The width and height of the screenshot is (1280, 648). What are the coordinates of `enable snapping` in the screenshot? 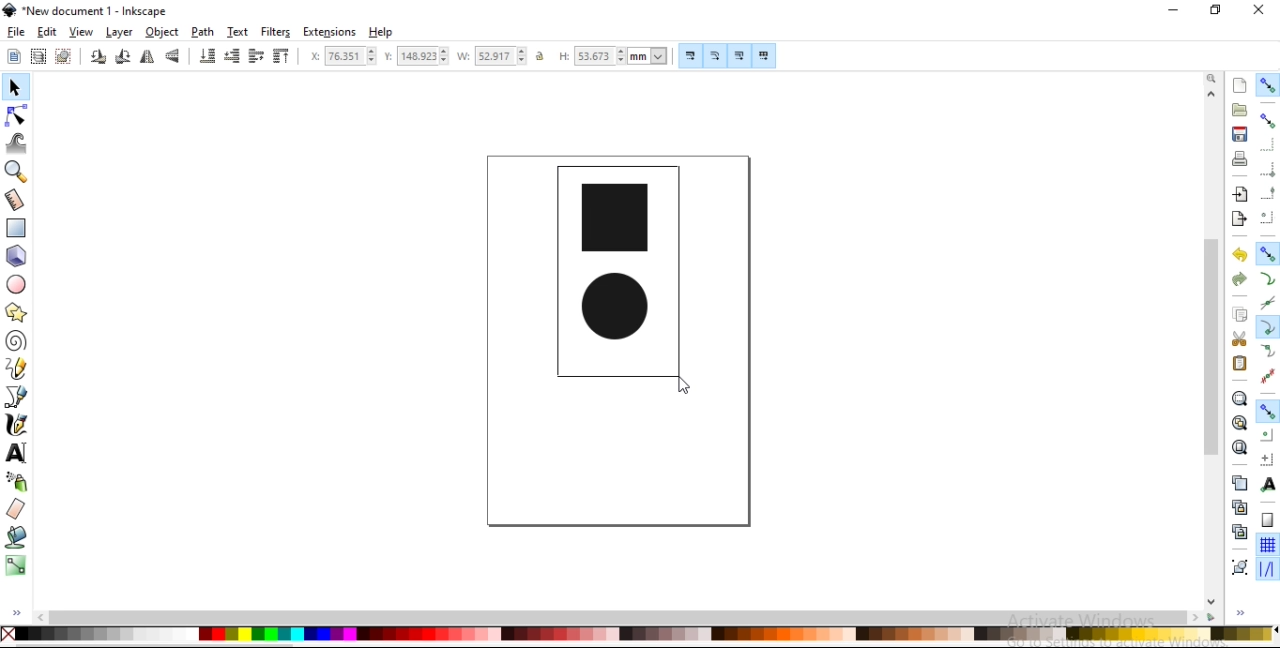 It's located at (1269, 85).